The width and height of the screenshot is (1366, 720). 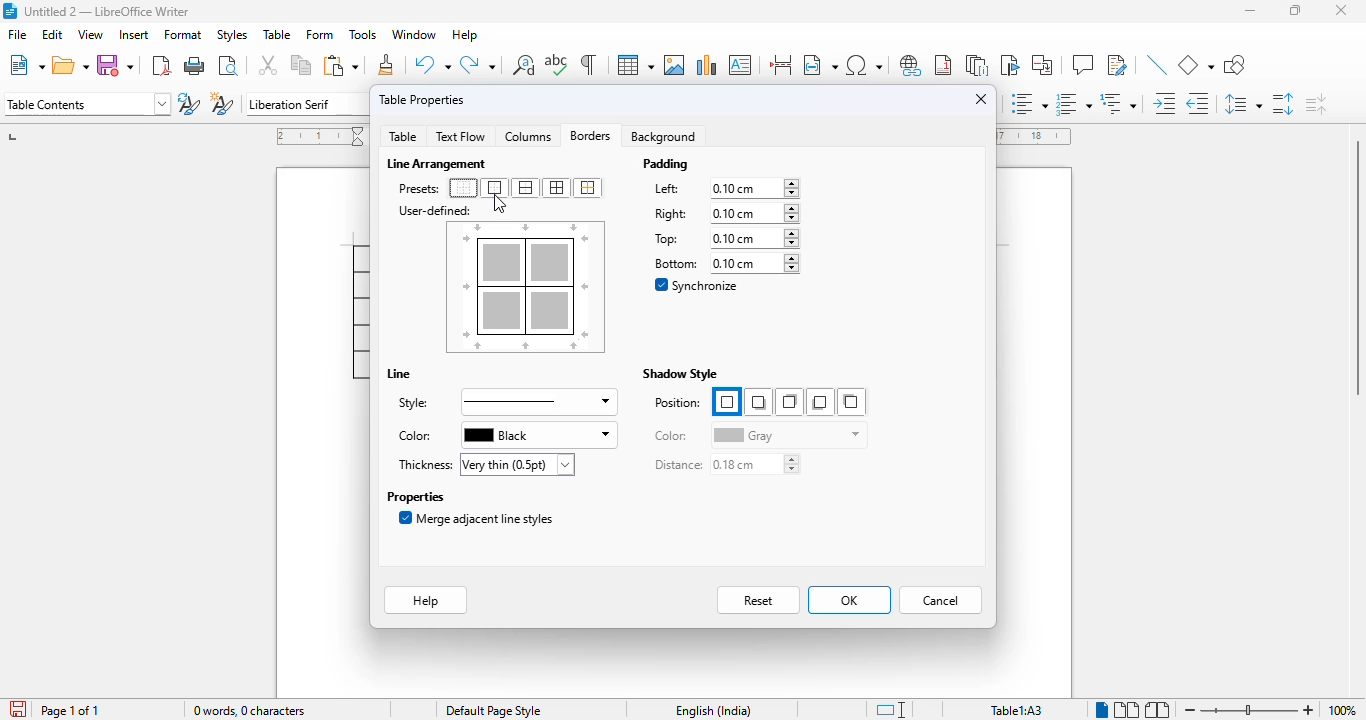 I want to click on table, so click(x=277, y=34).